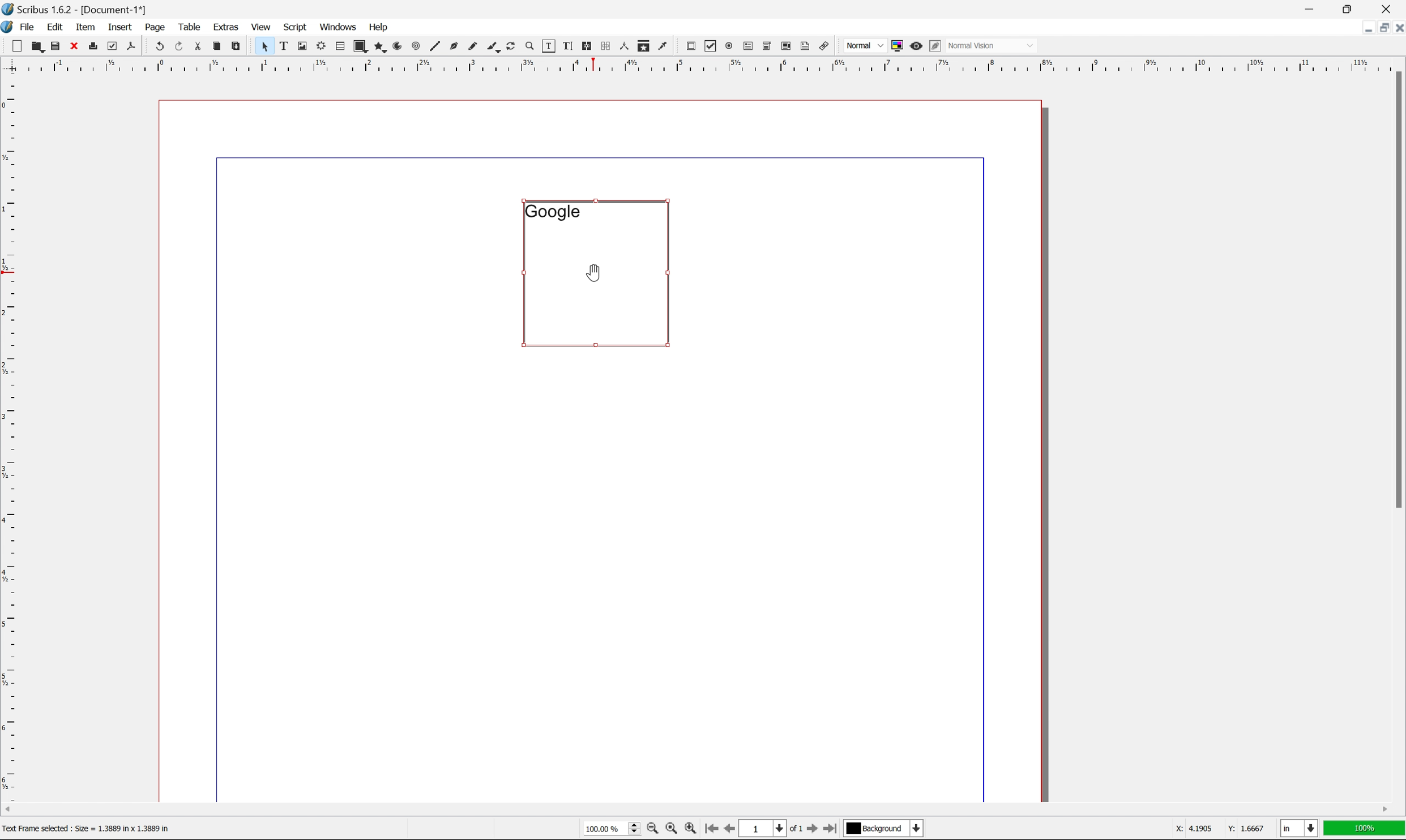  What do you see at coordinates (612, 828) in the screenshot?
I see `select current zoom level` at bounding box center [612, 828].